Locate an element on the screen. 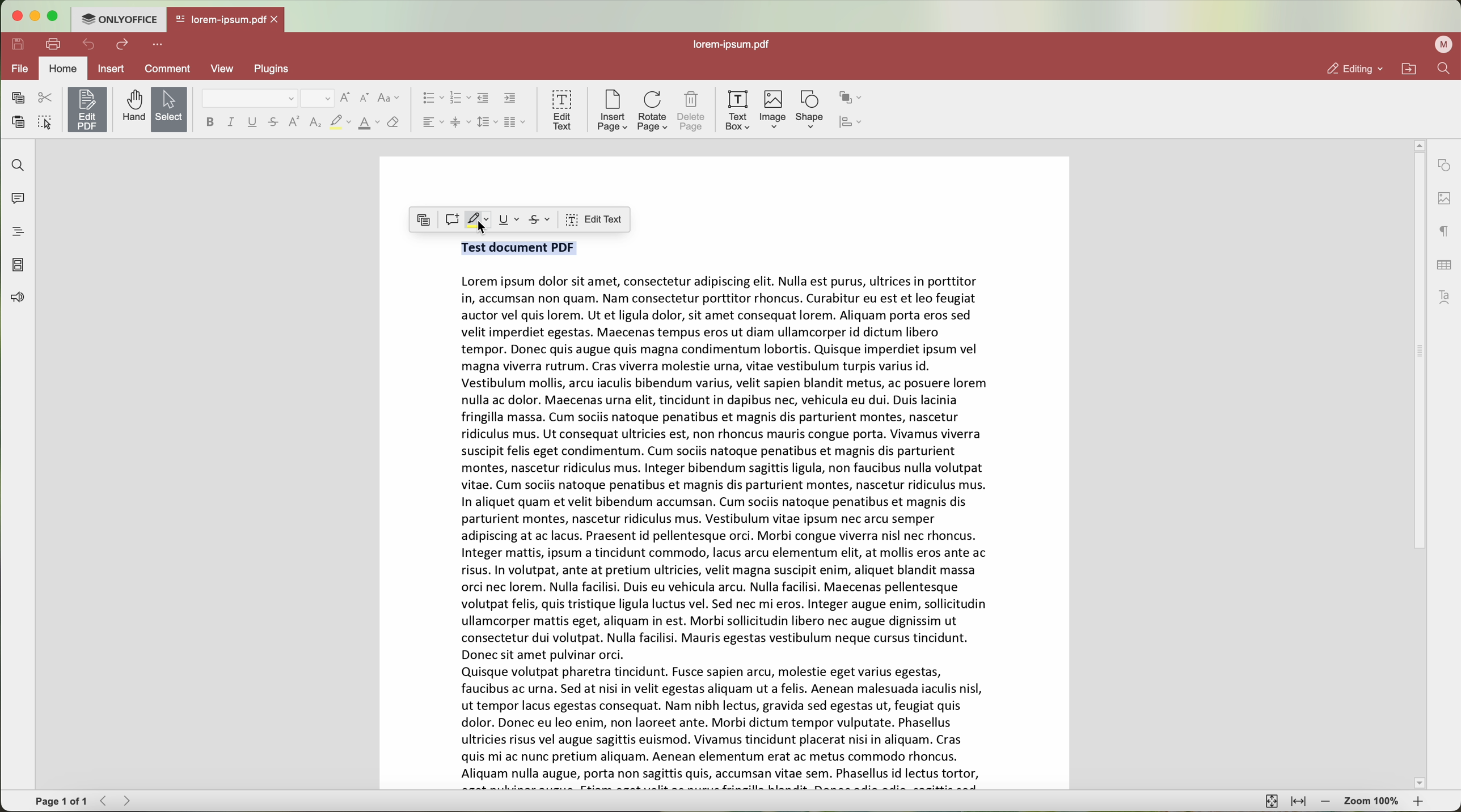  fit to page is located at coordinates (1270, 801).